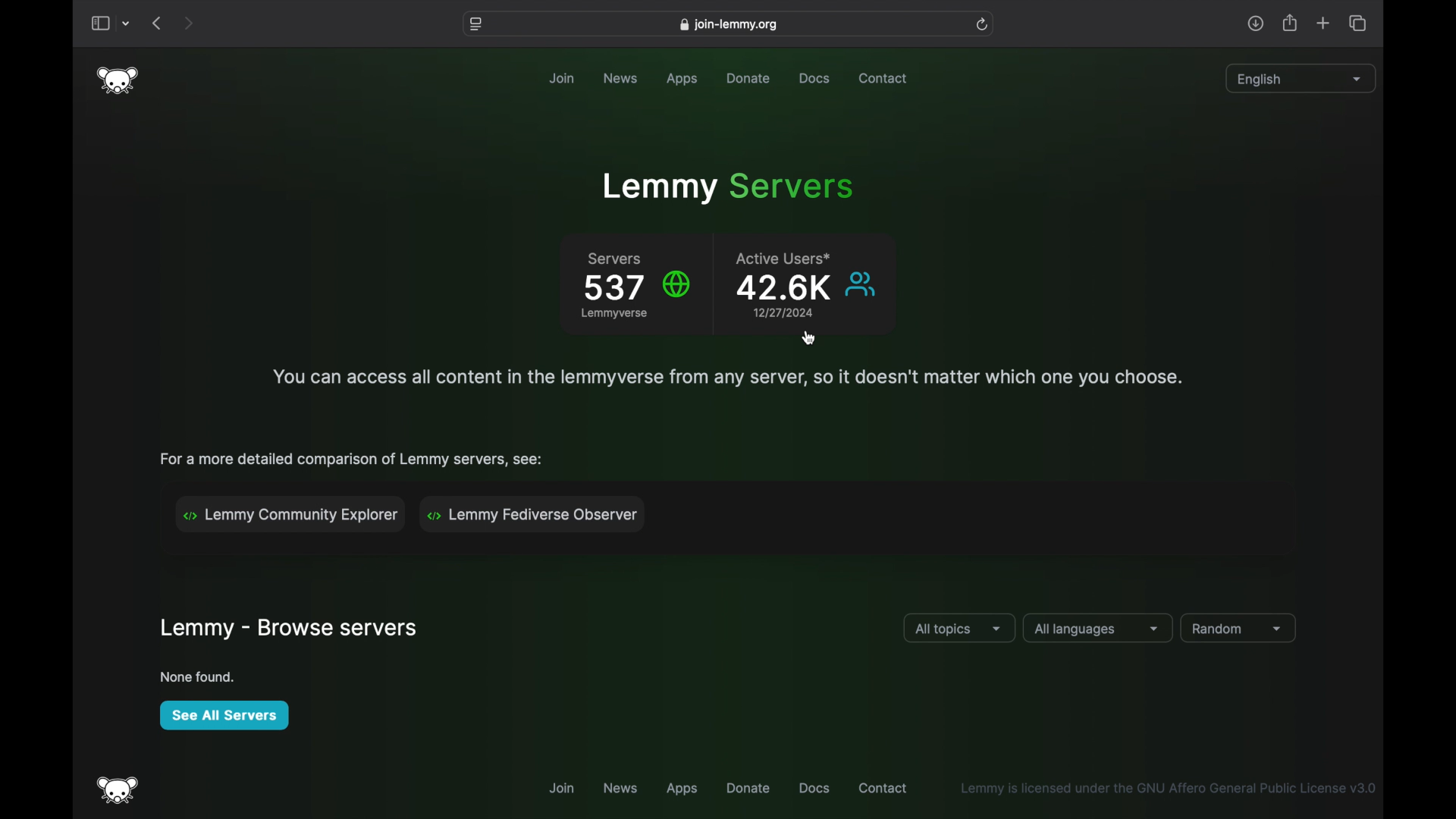 Image resolution: width=1456 pixels, height=819 pixels. Describe the element at coordinates (959, 629) in the screenshot. I see `all topics` at that location.